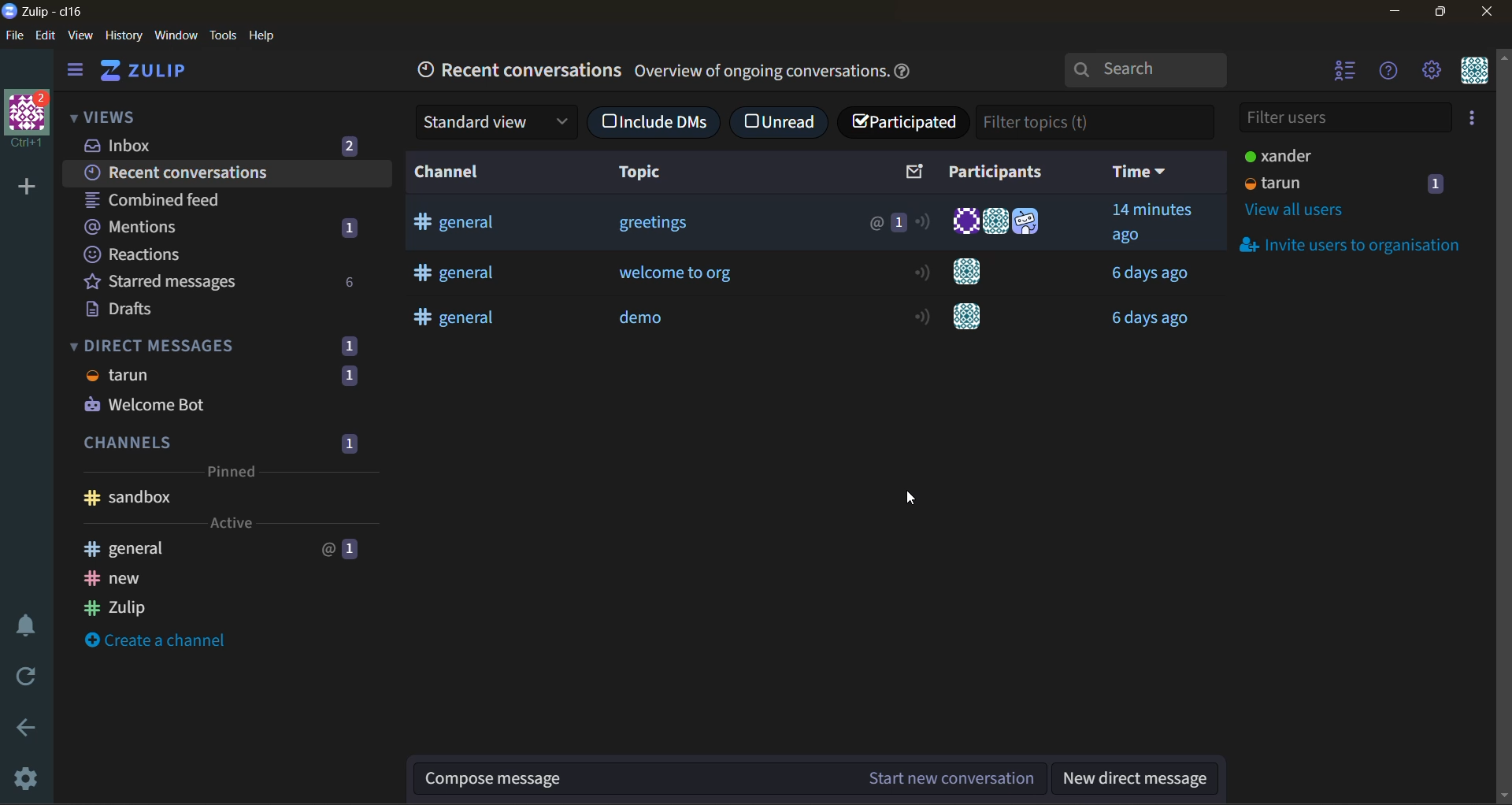 The height and width of the screenshot is (805, 1512). What do you see at coordinates (502, 122) in the screenshot?
I see `standard view` at bounding box center [502, 122].